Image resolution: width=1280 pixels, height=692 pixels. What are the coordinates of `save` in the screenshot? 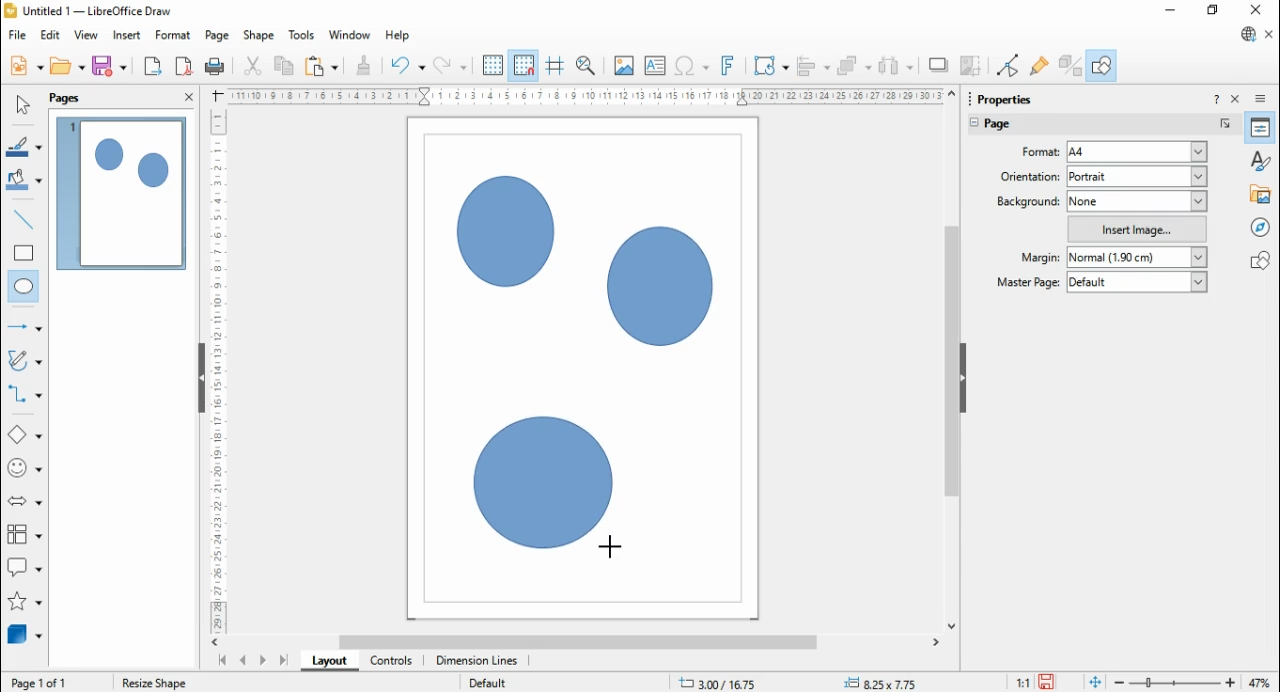 It's located at (109, 66).